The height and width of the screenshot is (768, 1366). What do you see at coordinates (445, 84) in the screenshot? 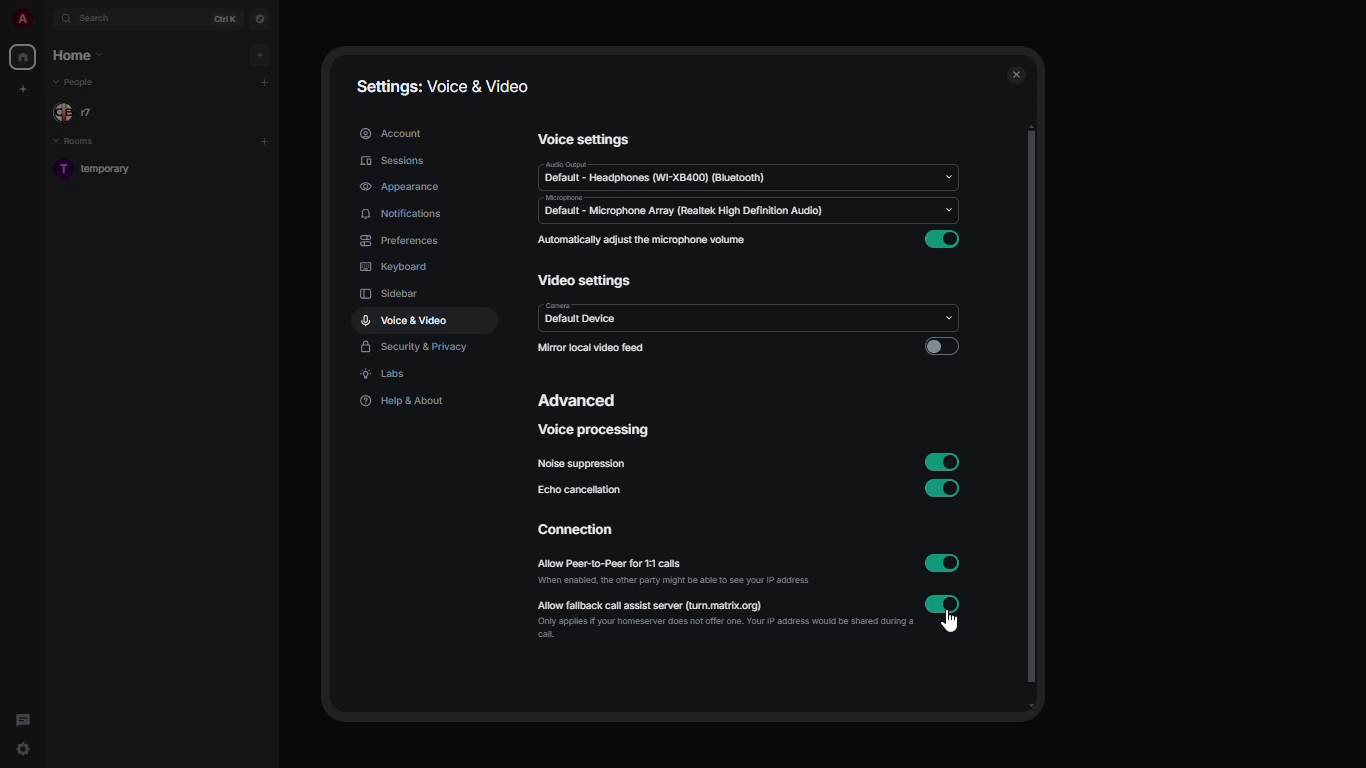
I see `settings: voice & video` at bounding box center [445, 84].